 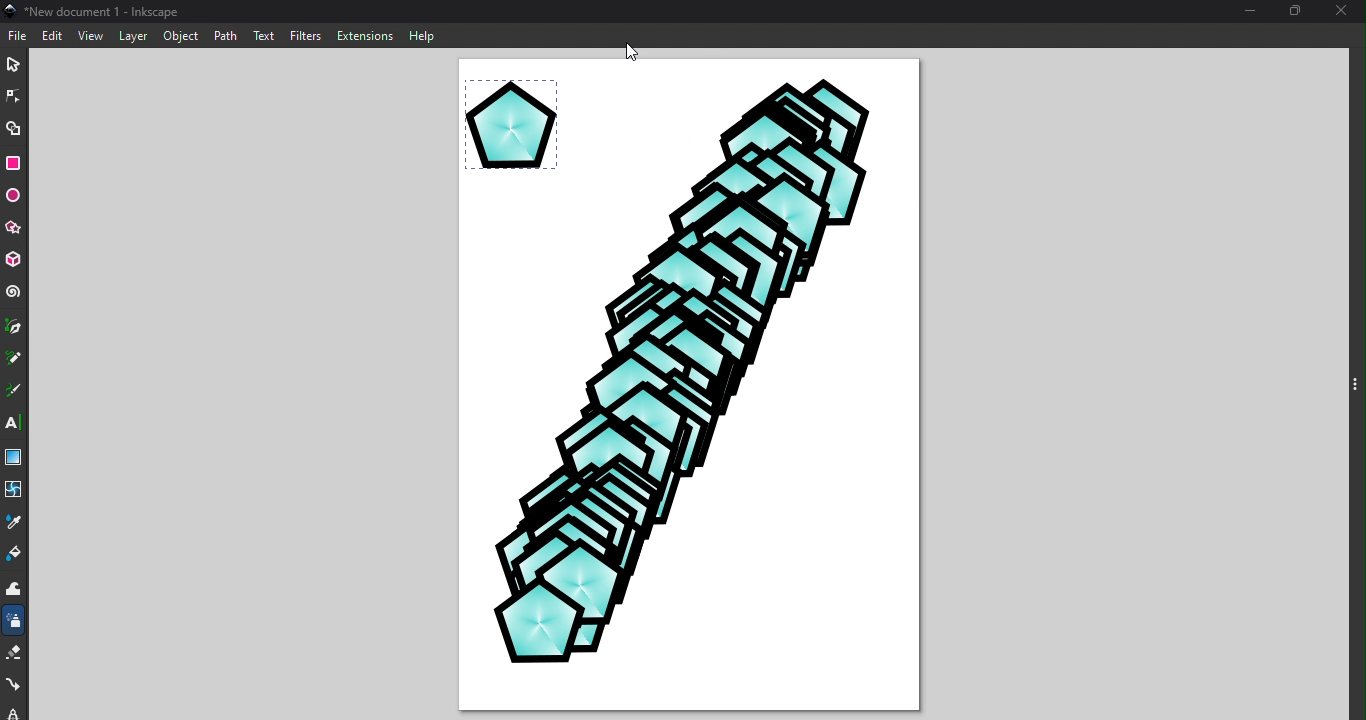 What do you see at coordinates (15, 655) in the screenshot?
I see `Eraser tool` at bounding box center [15, 655].